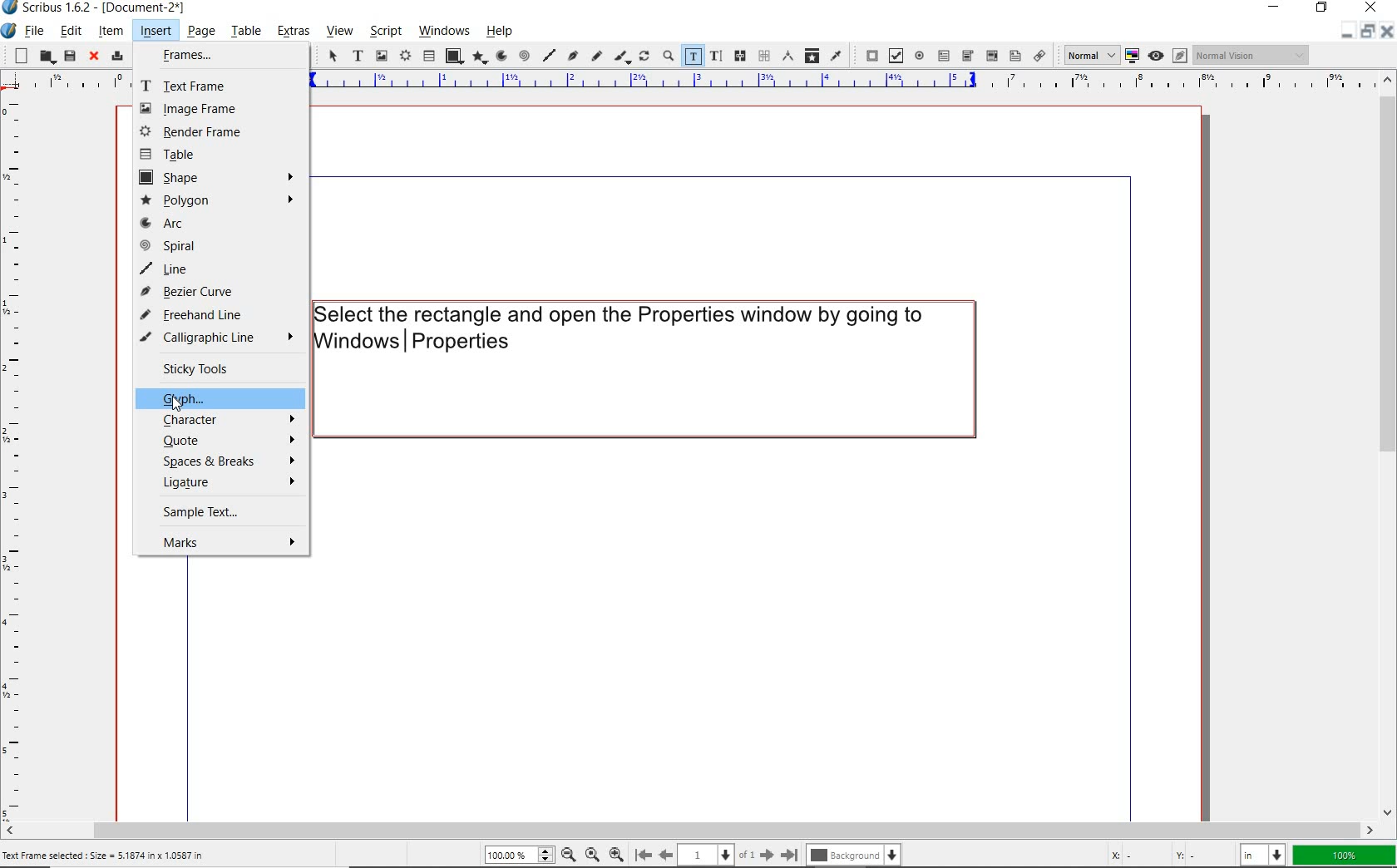  Describe the element at coordinates (1276, 6) in the screenshot. I see `minimize` at that location.